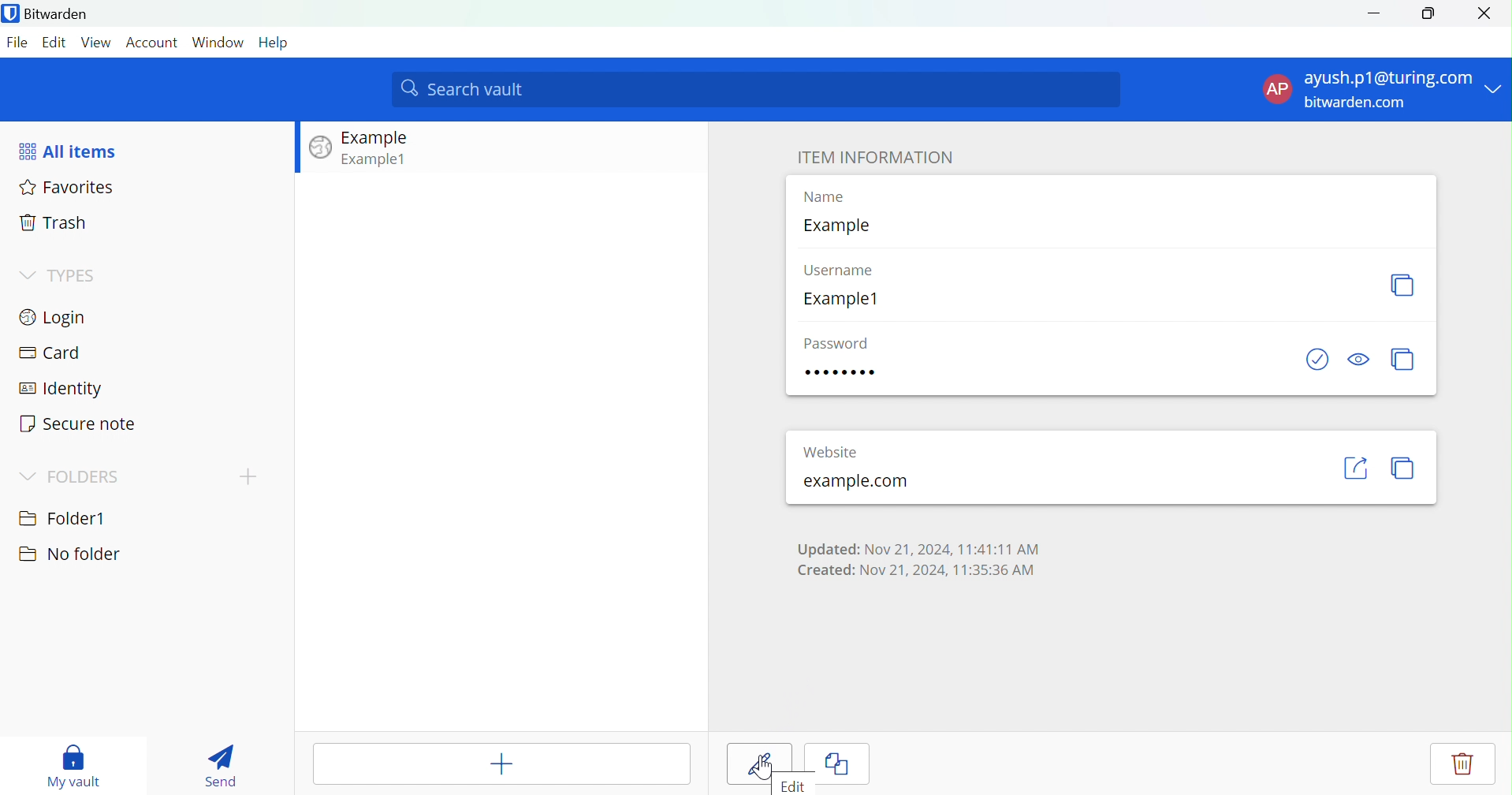 The image size is (1512, 795). Describe the element at coordinates (1359, 103) in the screenshot. I see `bitwarden.com` at that location.